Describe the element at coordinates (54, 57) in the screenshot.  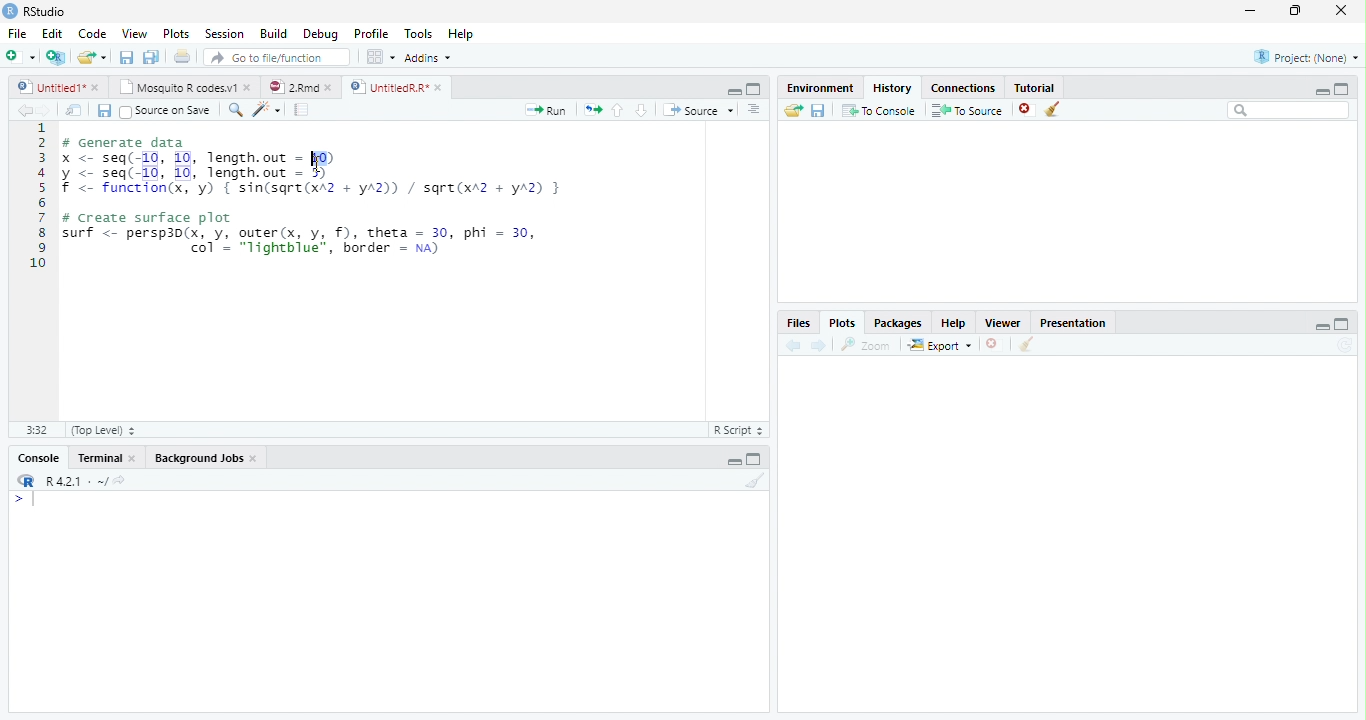
I see `Create a project` at that location.